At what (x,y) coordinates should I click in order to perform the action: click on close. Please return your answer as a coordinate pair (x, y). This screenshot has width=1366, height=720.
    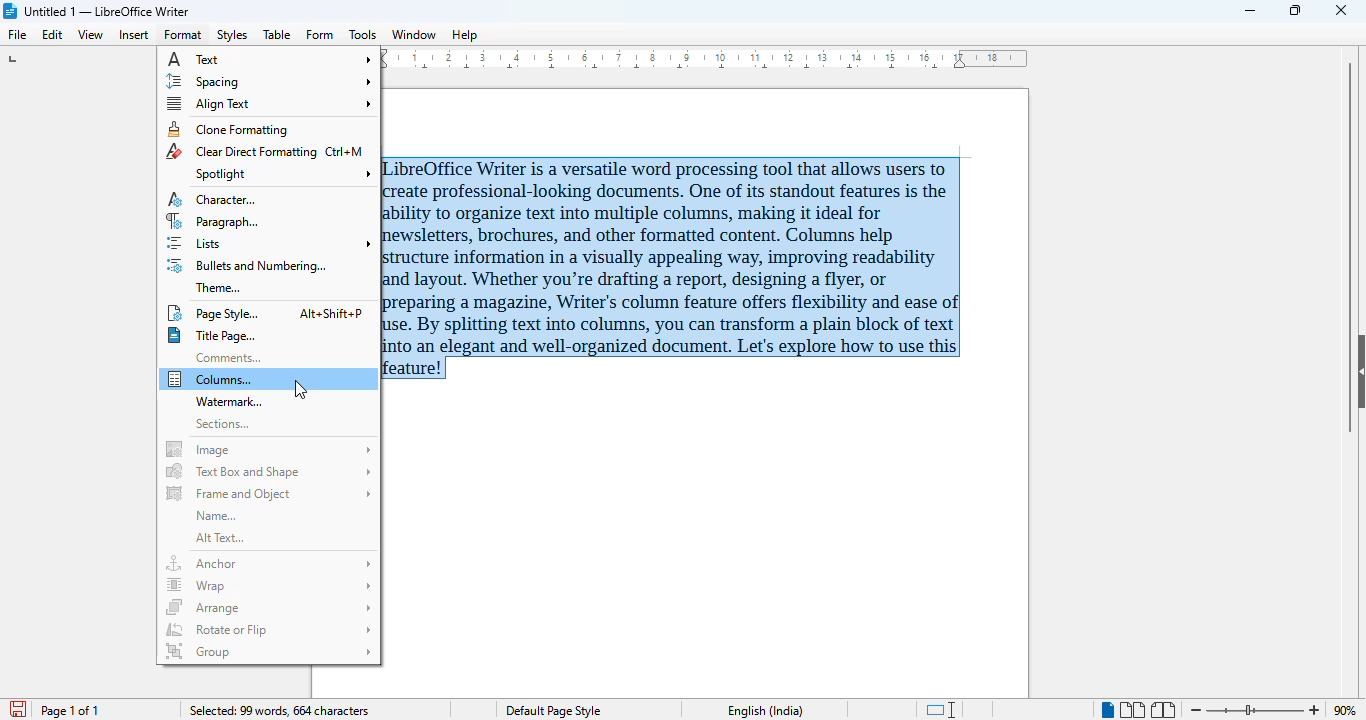
    Looking at the image, I should click on (1341, 10).